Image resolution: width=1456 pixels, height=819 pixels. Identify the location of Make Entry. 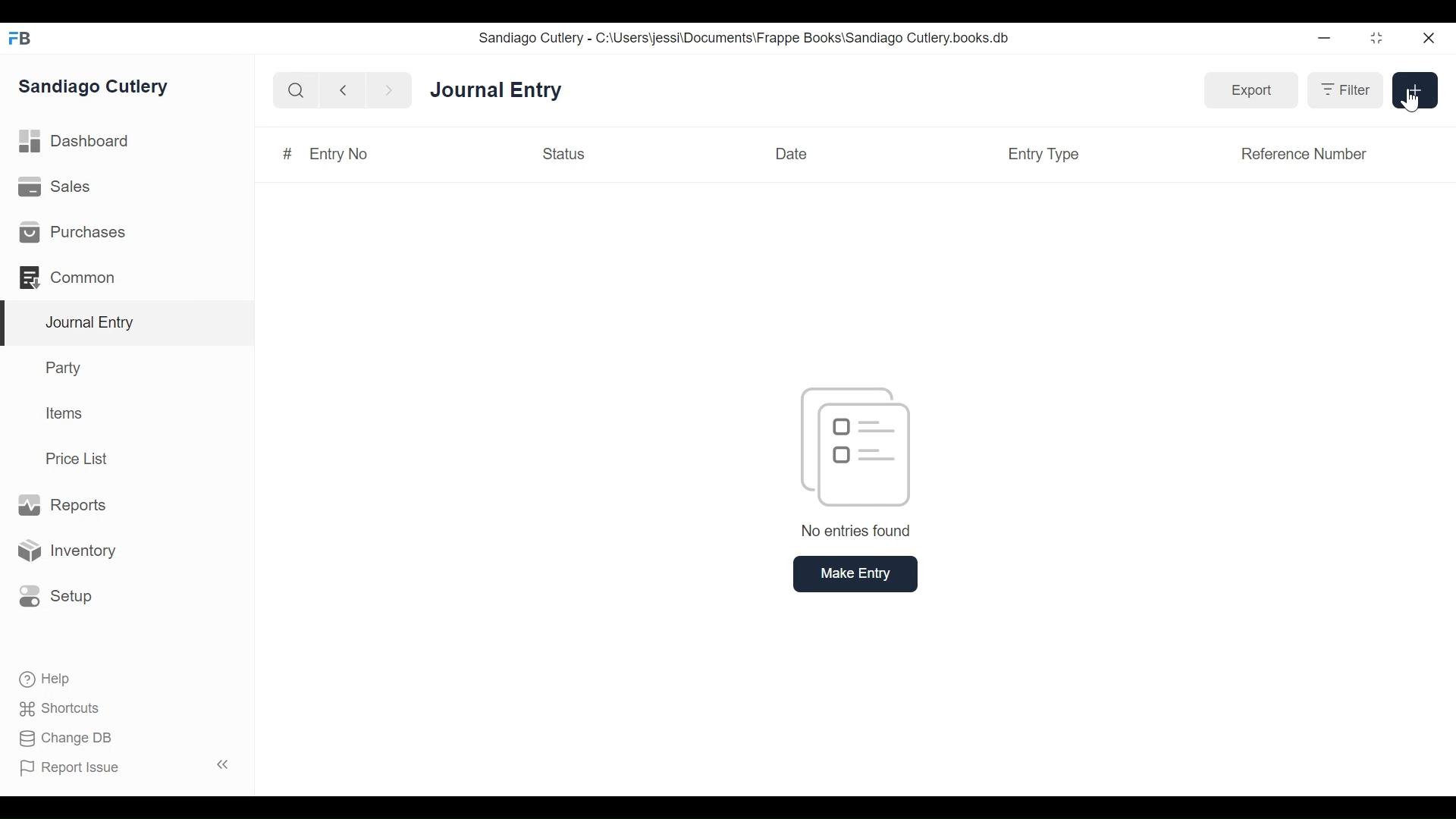
(858, 575).